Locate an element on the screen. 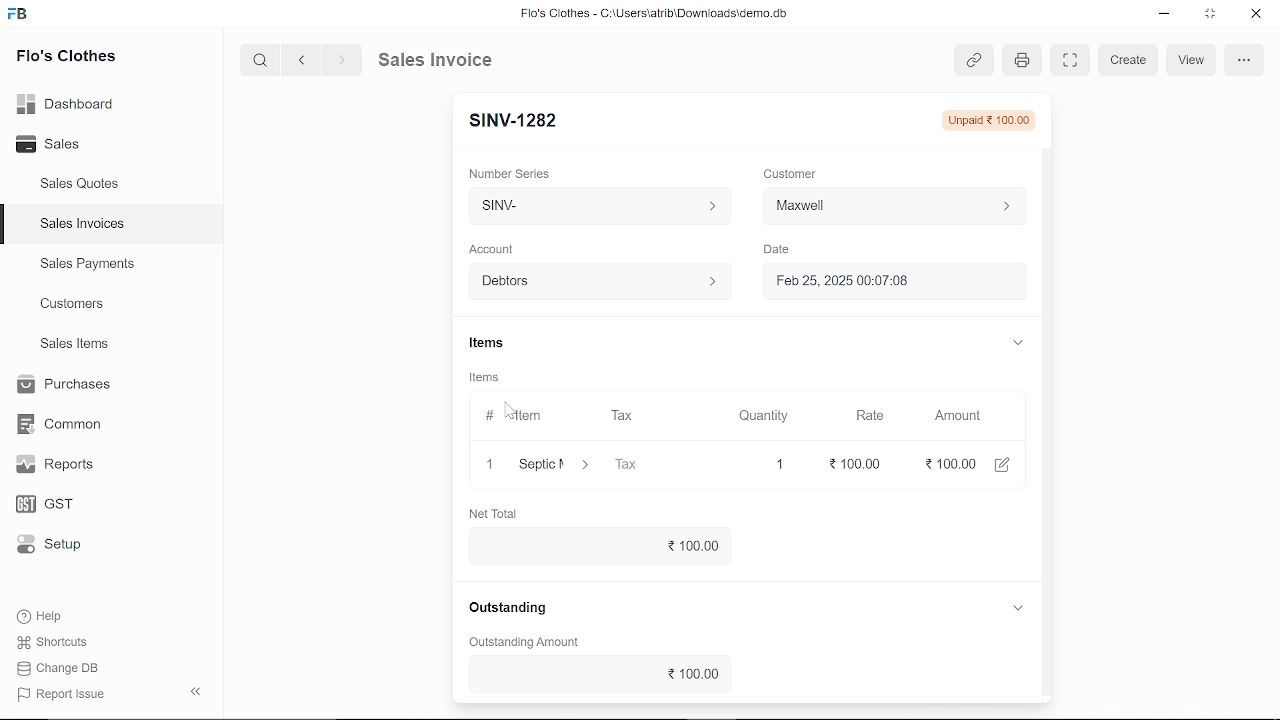  Purchases is located at coordinates (67, 386).